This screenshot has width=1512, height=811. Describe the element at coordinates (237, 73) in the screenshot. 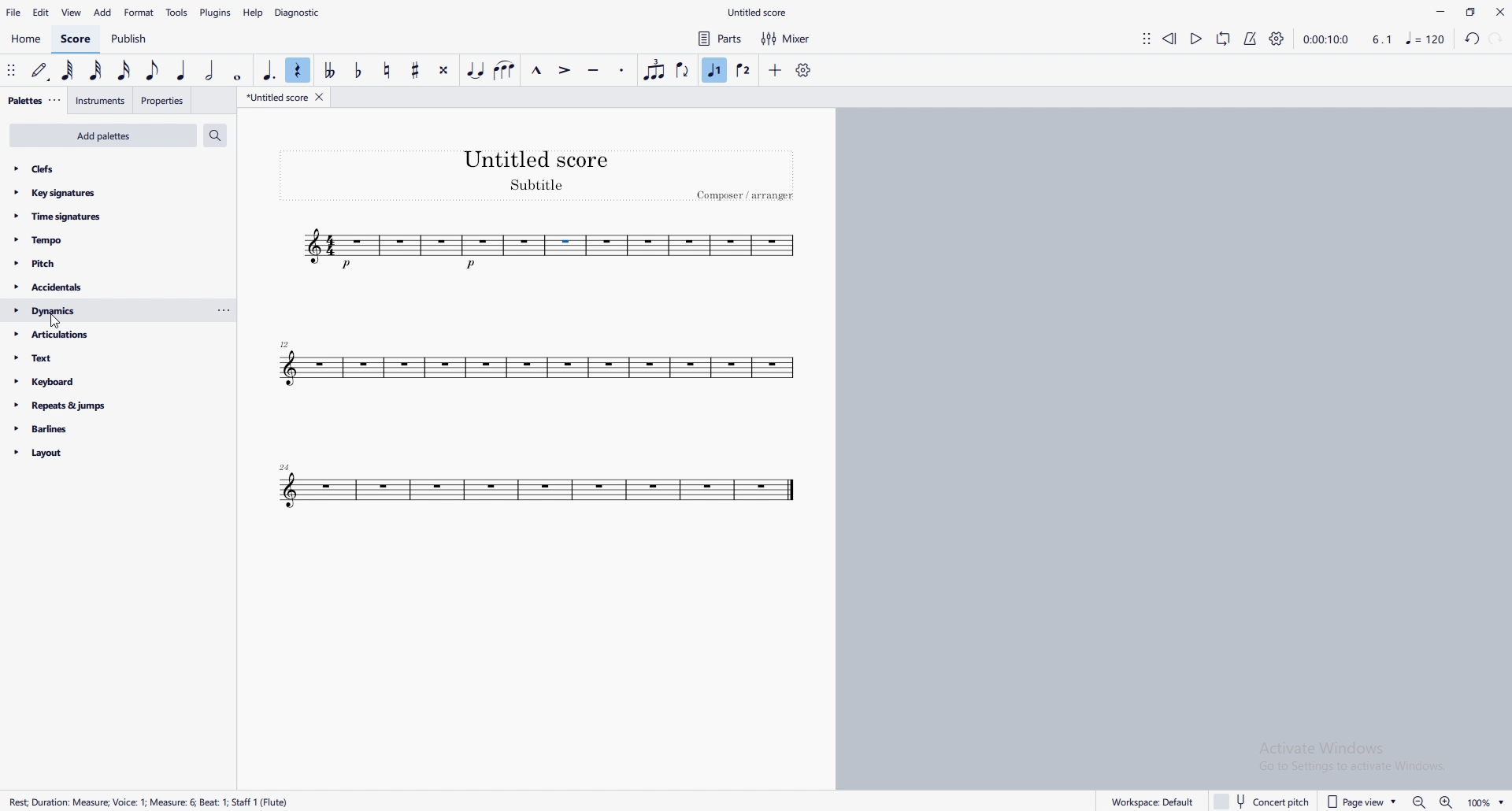

I see `whole dot` at that location.